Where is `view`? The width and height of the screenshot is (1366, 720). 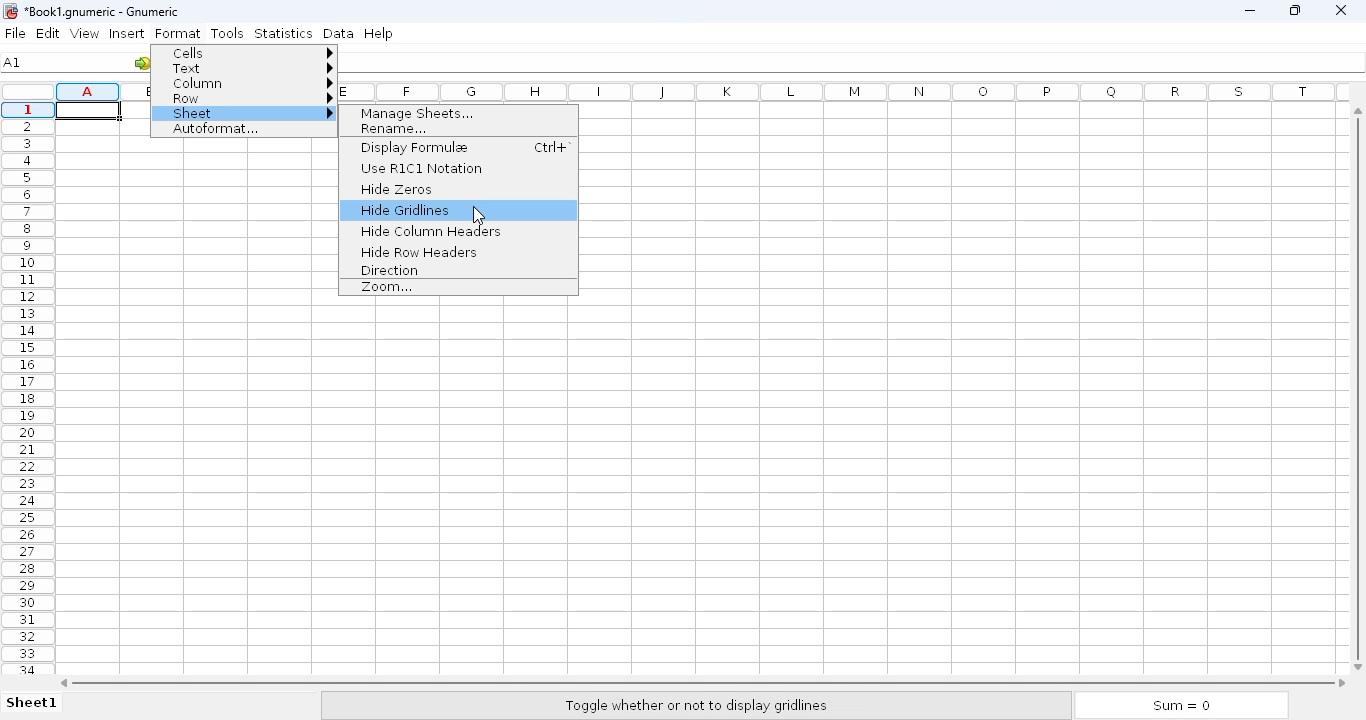 view is located at coordinates (84, 33).